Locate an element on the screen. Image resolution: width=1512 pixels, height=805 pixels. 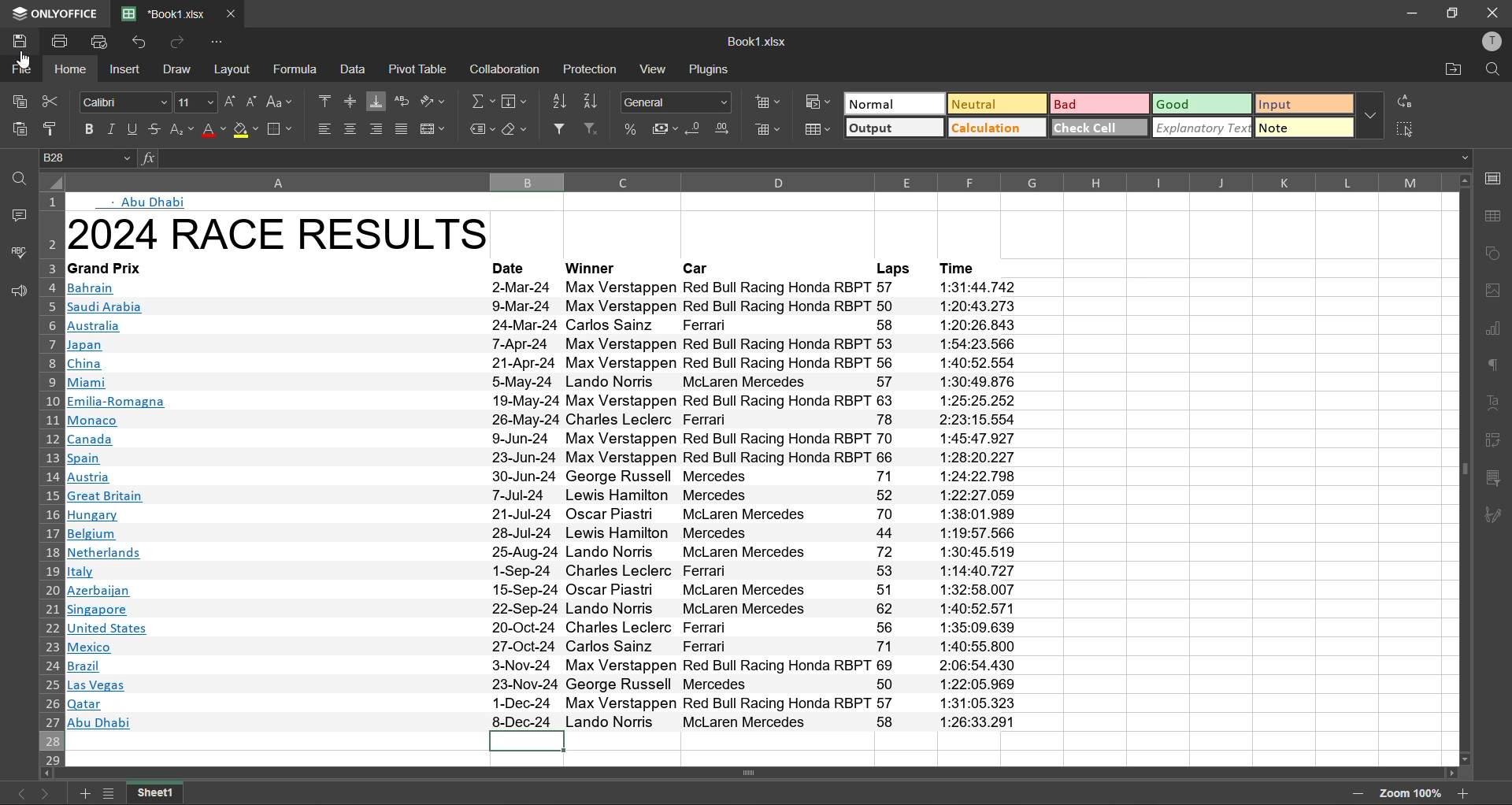
12024 RACE RESULTS is located at coordinates (332, 231).